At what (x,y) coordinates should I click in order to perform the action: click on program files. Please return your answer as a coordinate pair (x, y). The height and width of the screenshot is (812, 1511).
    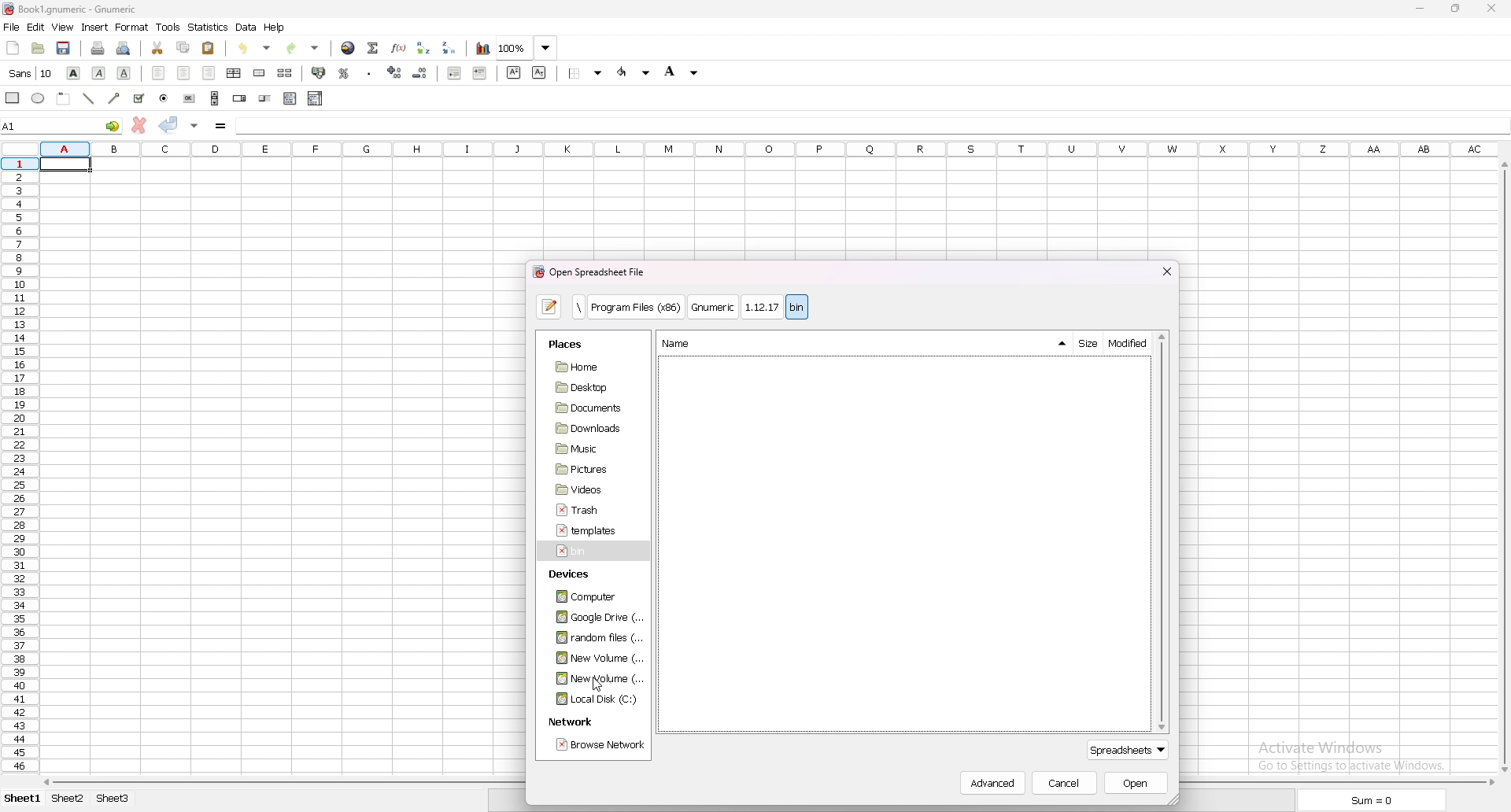
    Looking at the image, I should click on (637, 308).